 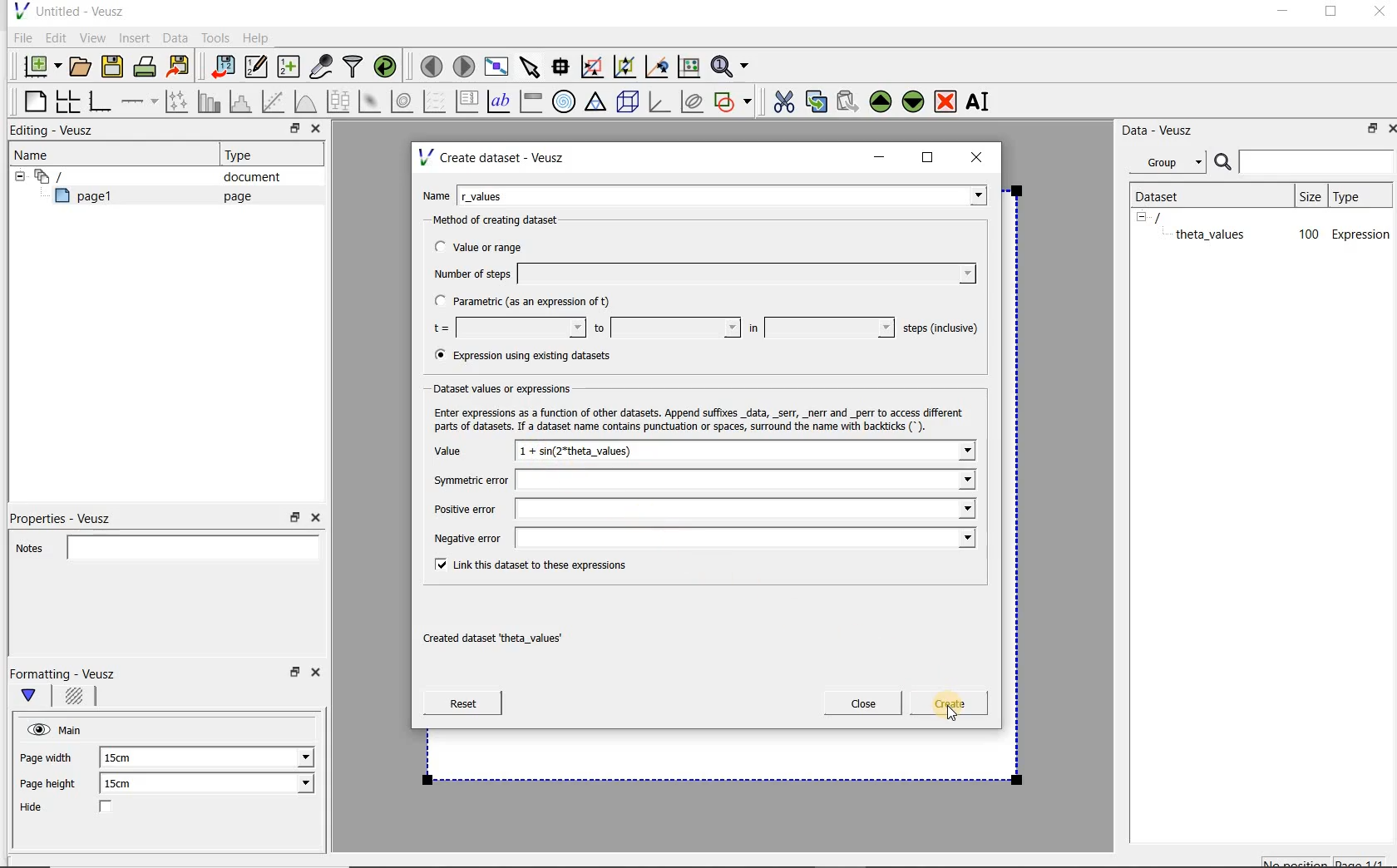 I want to click on move to the next page, so click(x=464, y=67).